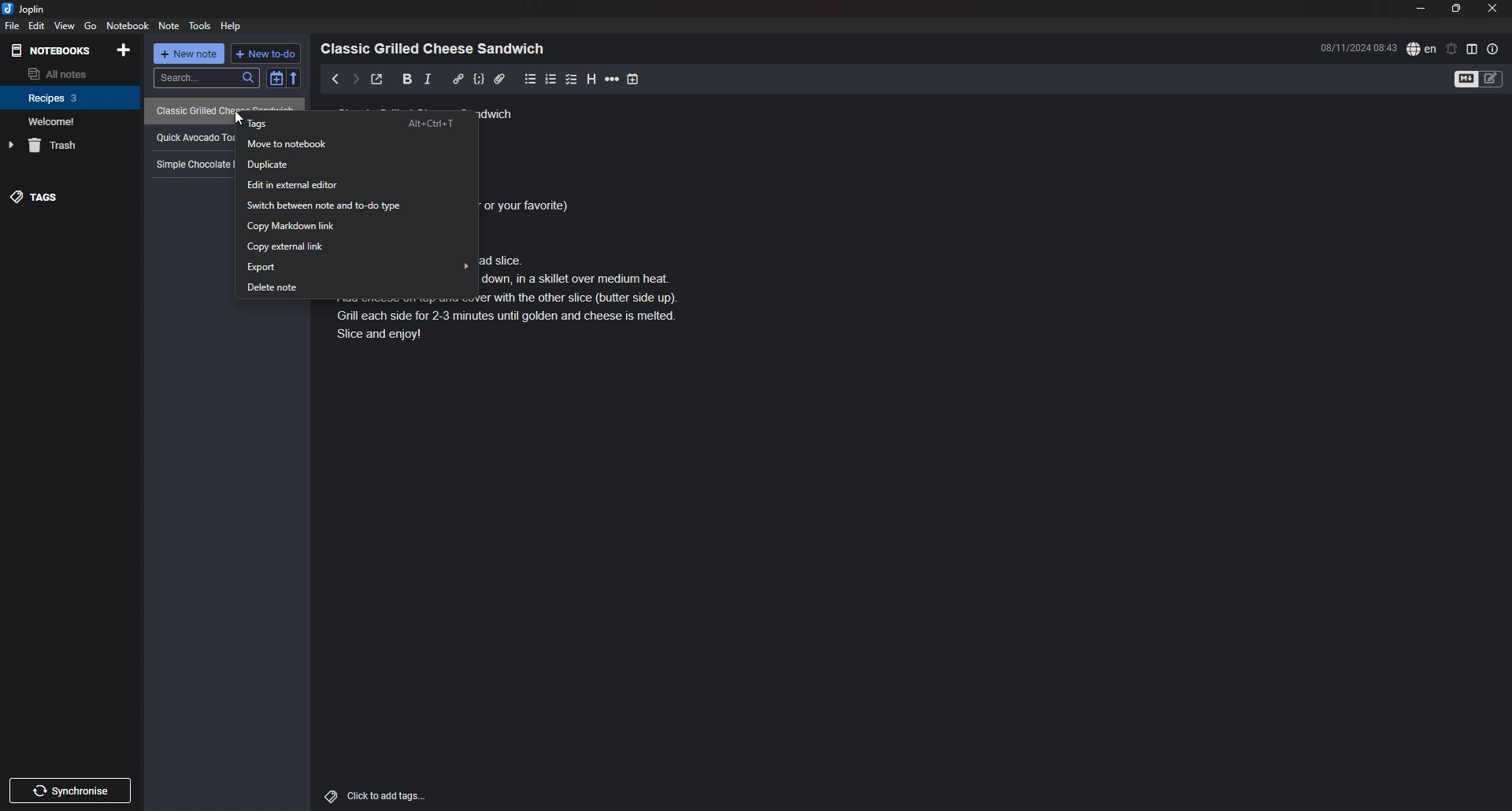  I want to click on notebooks, so click(53, 50).